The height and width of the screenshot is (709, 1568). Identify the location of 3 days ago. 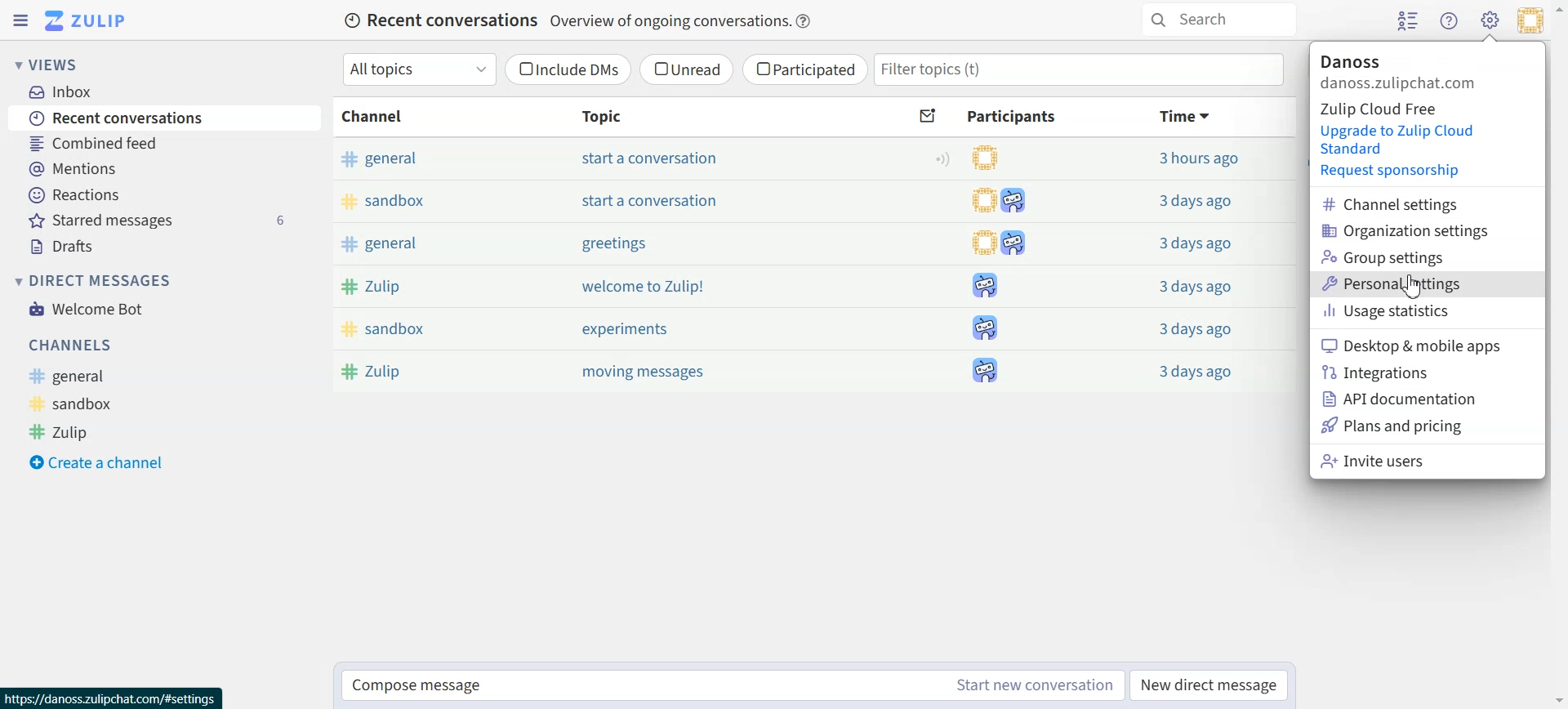
(1193, 330).